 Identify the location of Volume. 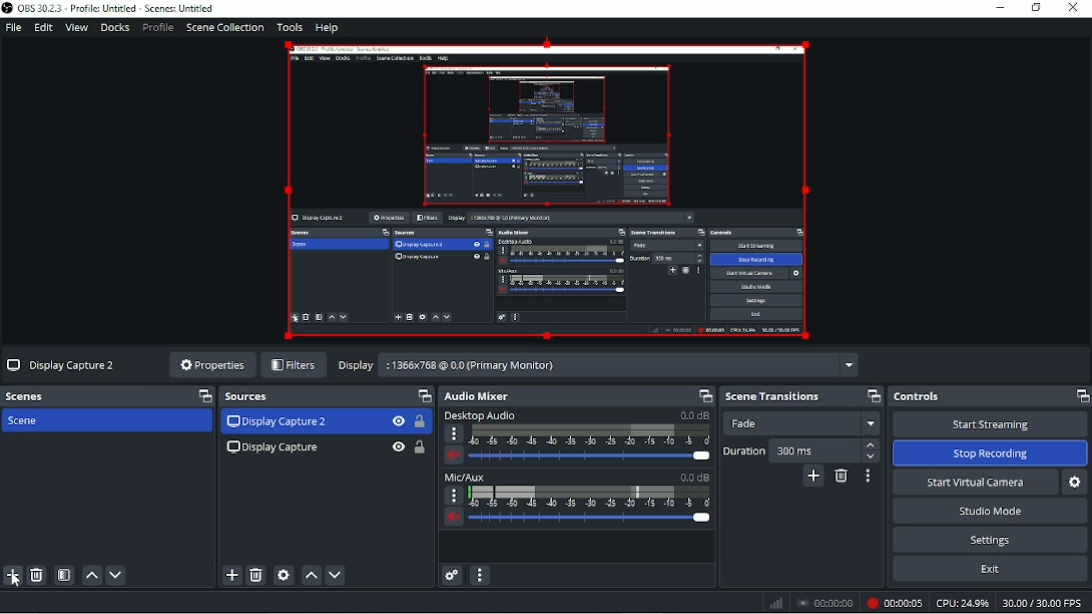
(455, 517).